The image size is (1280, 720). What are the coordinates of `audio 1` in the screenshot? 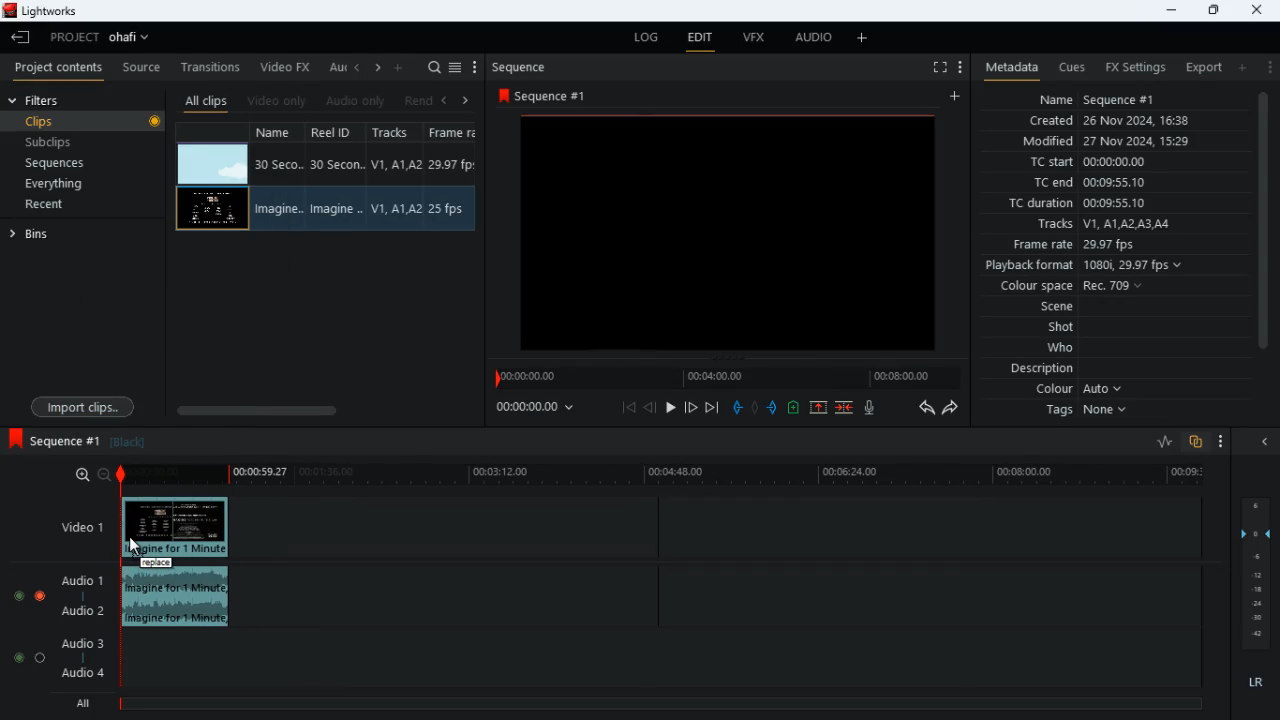 It's located at (78, 581).